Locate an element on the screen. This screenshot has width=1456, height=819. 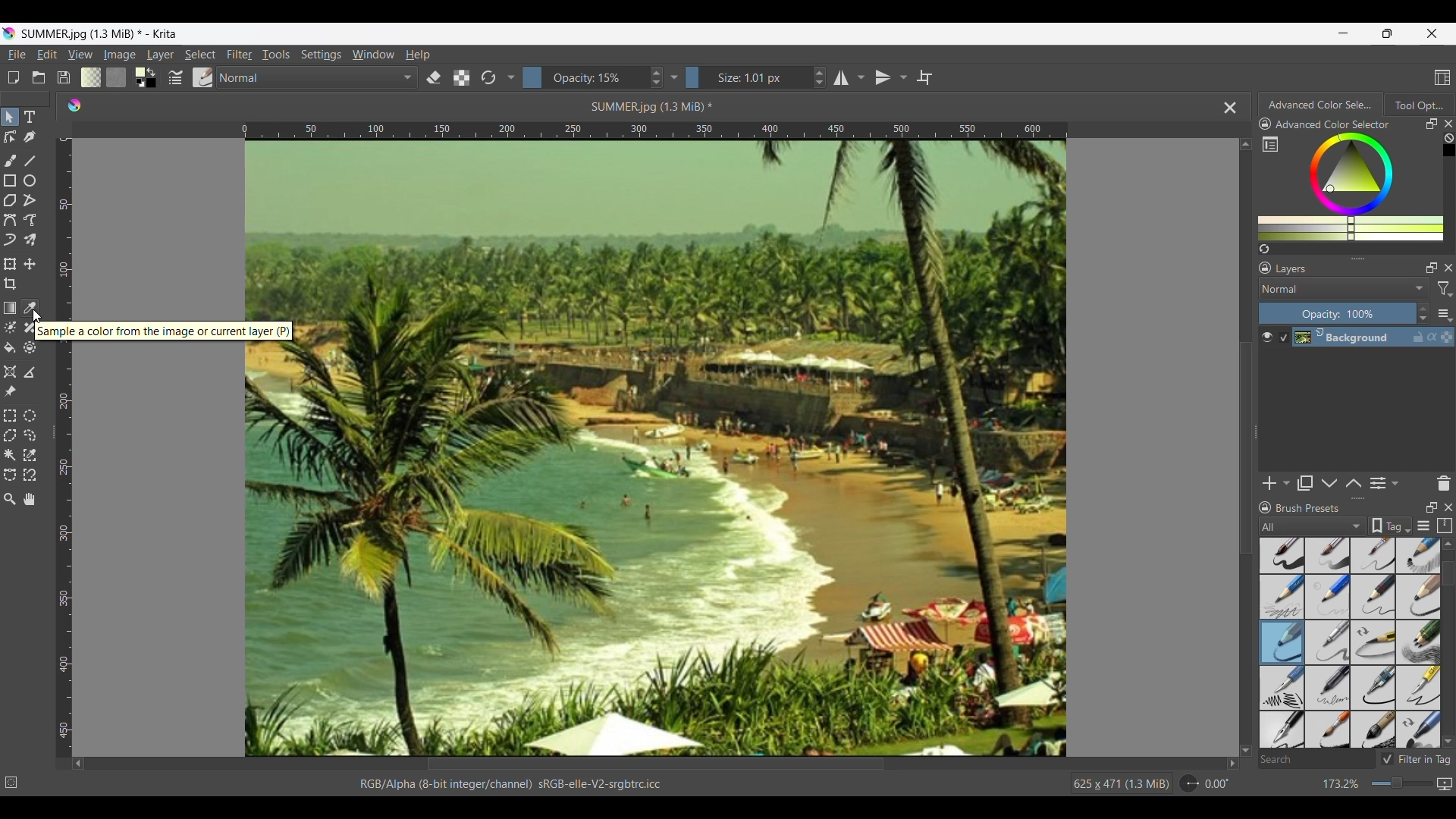
Minimize is located at coordinates (1344, 33).